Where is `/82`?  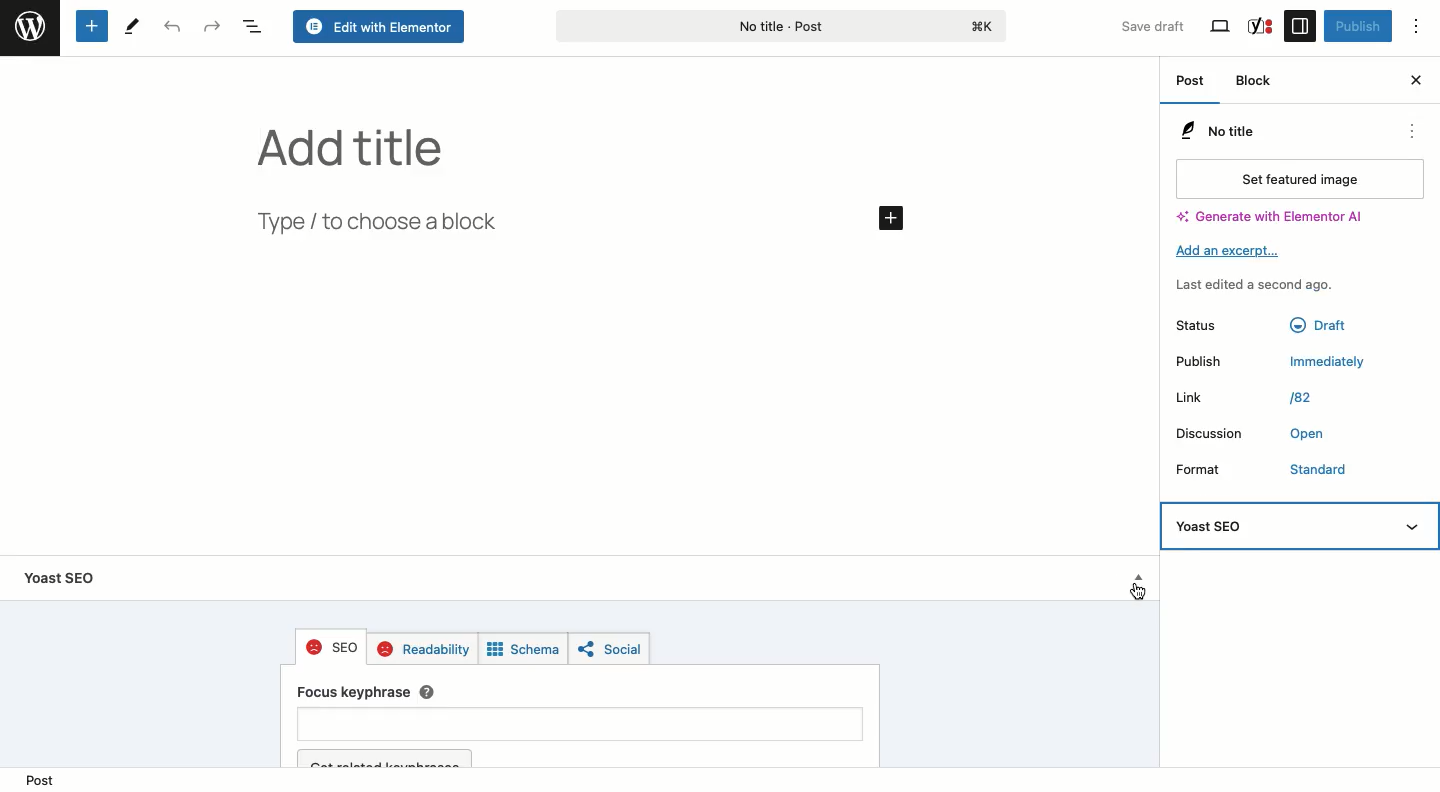 /82 is located at coordinates (1299, 398).